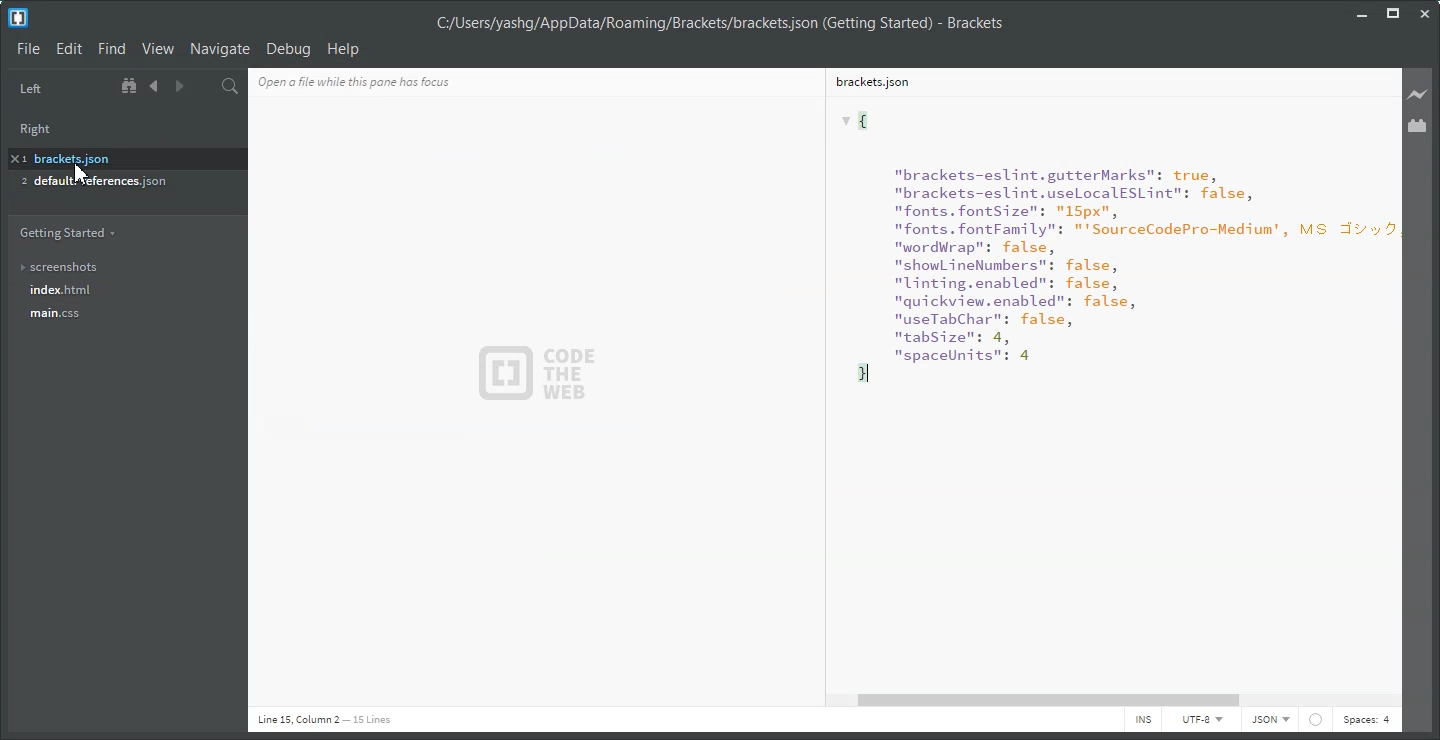 The height and width of the screenshot is (740, 1440). Describe the element at coordinates (1143, 721) in the screenshot. I see `INS` at that location.